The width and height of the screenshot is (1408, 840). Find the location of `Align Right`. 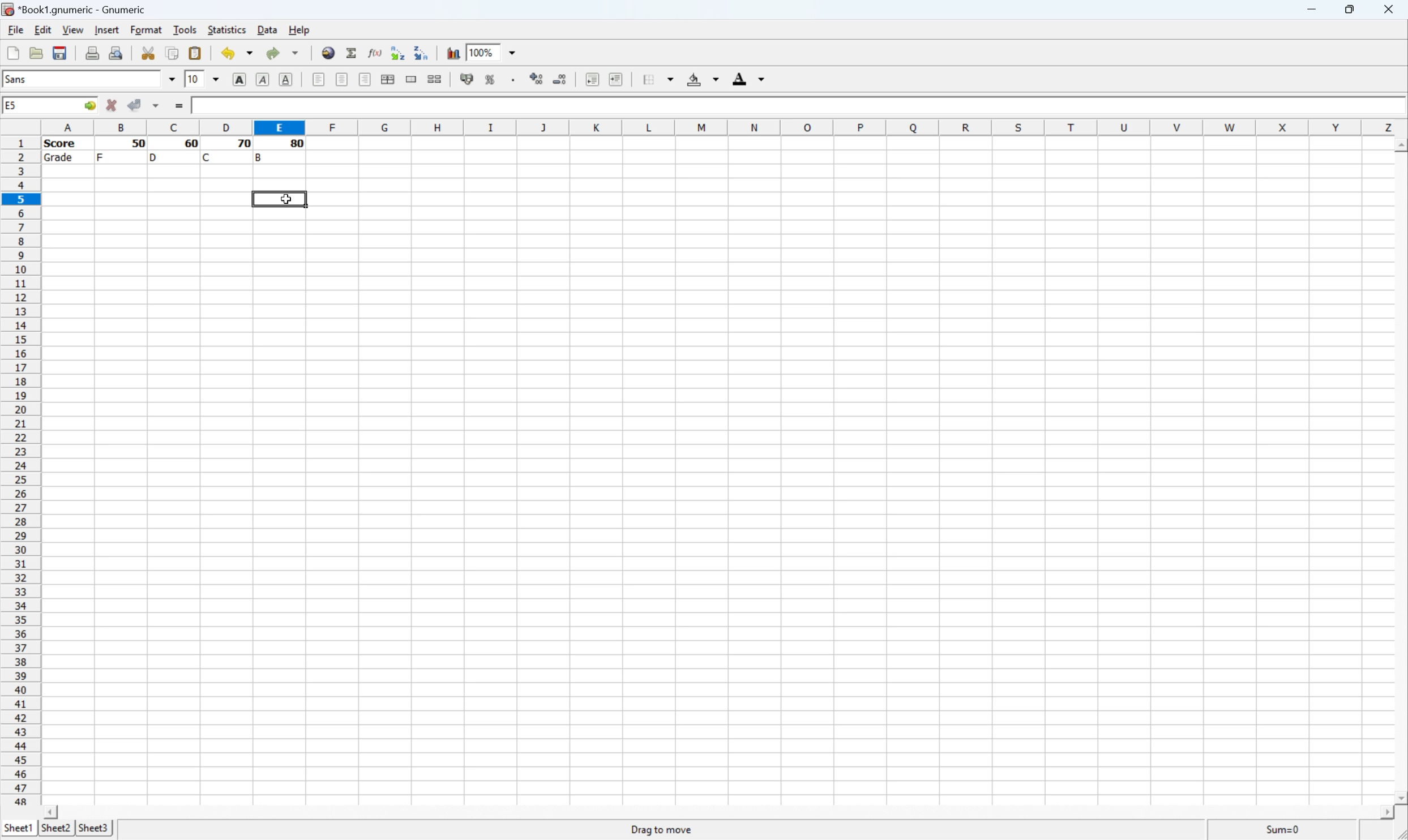

Align Right is located at coordinates (365, 79).